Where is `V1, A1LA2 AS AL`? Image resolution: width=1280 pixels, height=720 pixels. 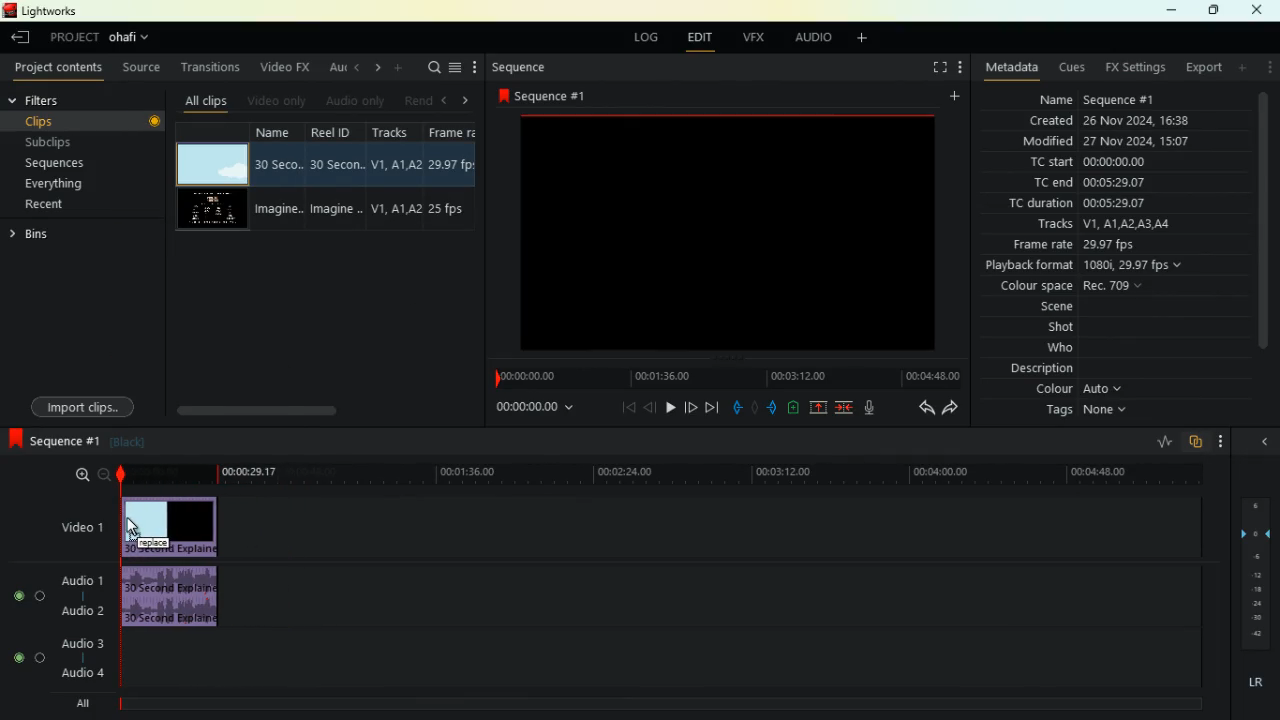
V1, A1LA2 AS AL is located at coordinates (1132, 223).